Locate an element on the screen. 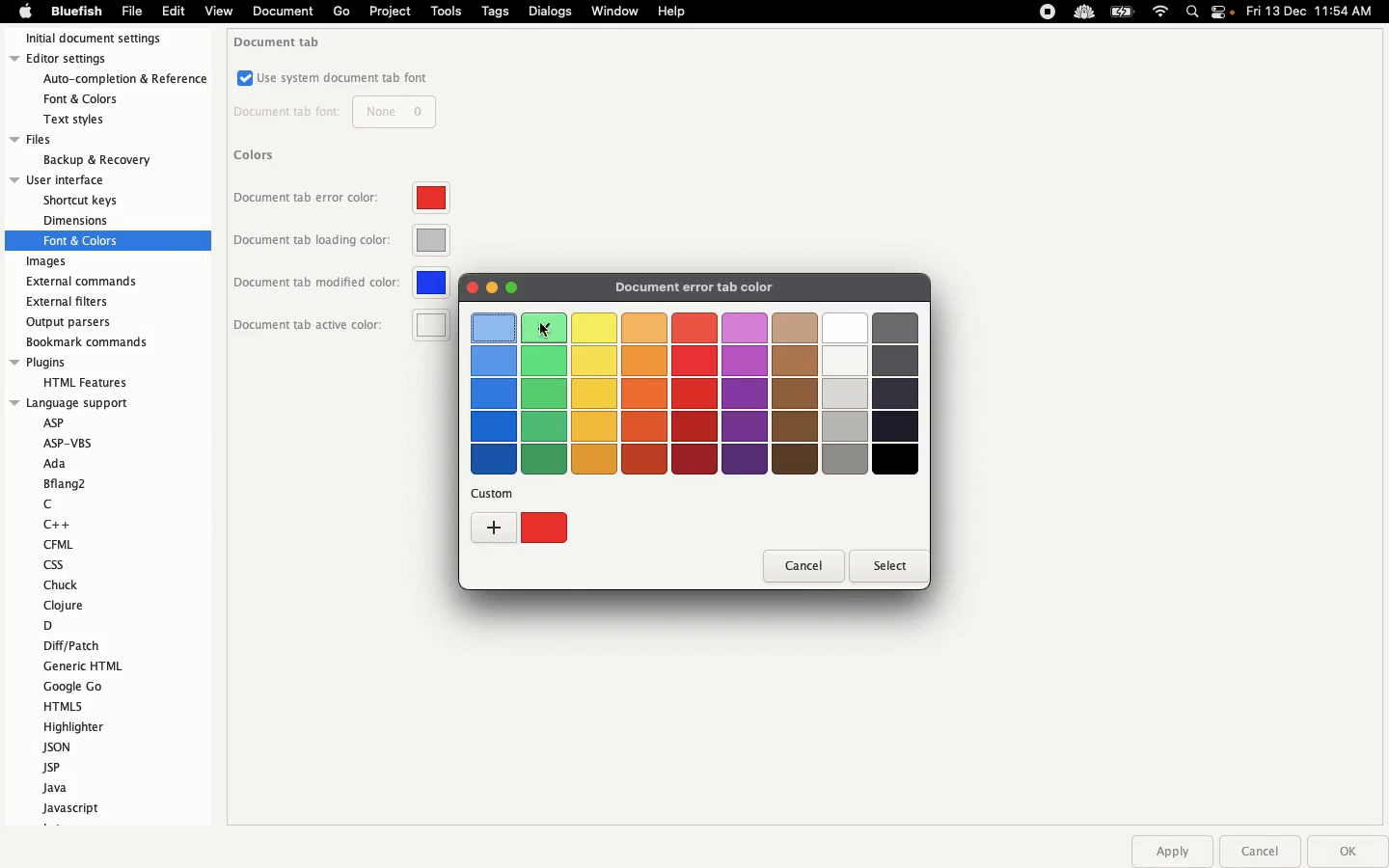 The image size is (1389, 868). Select is located at coordinates (887, 565).